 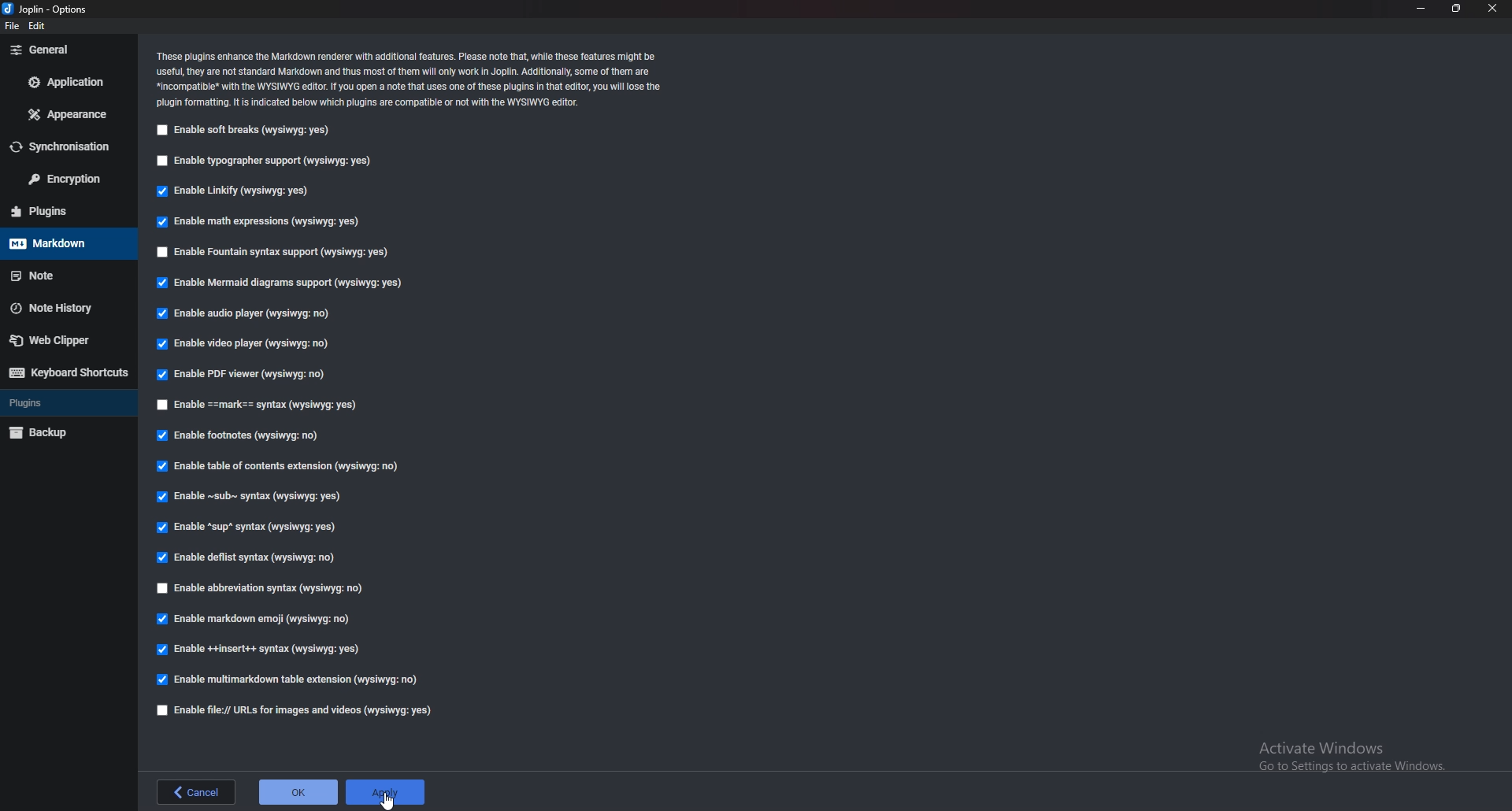 I want to click on Plugins, so click(x=62, y=402).